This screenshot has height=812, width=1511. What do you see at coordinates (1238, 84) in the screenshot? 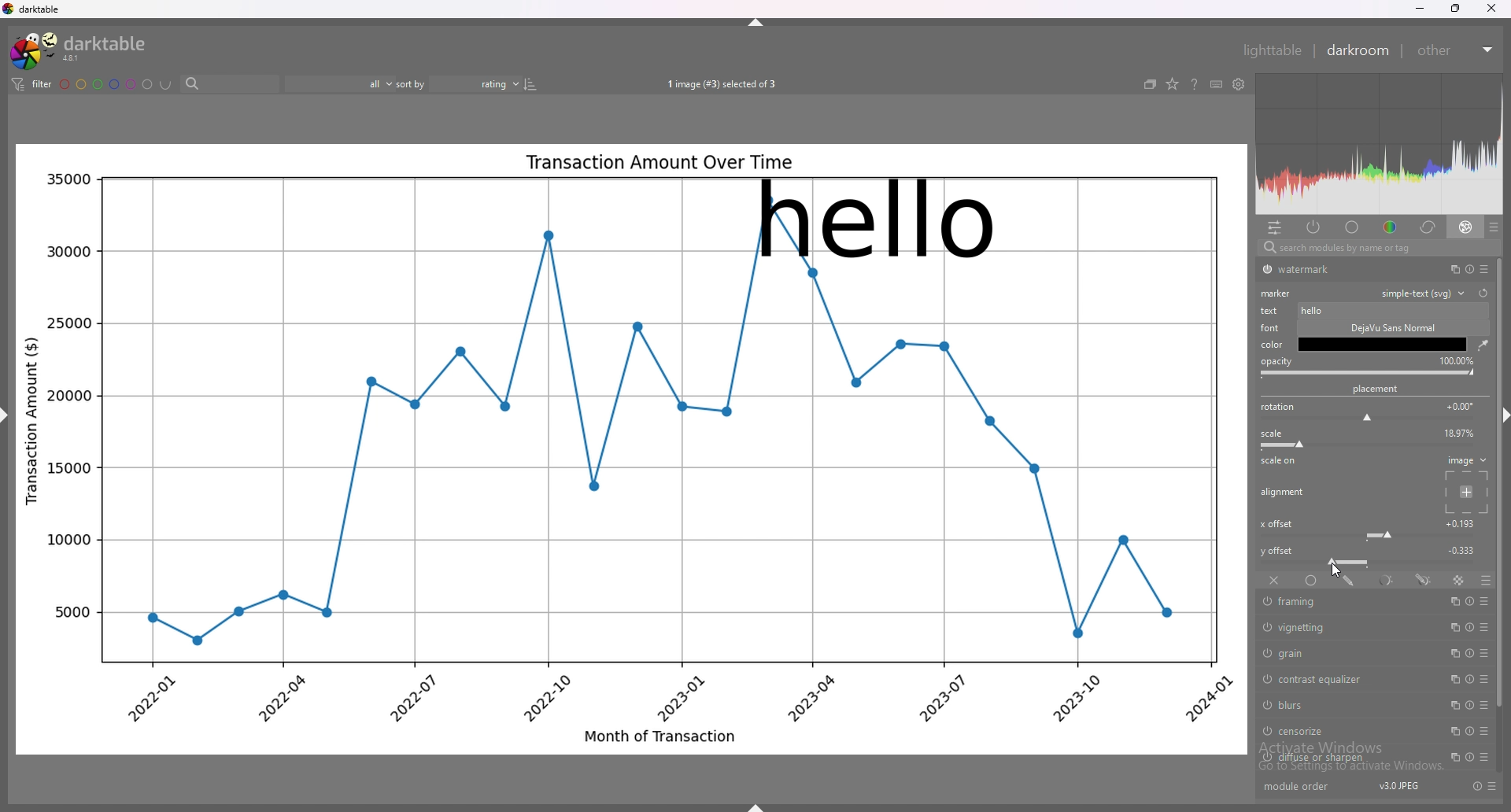
I see `show global preferences` at bounding box center [1238, 84].